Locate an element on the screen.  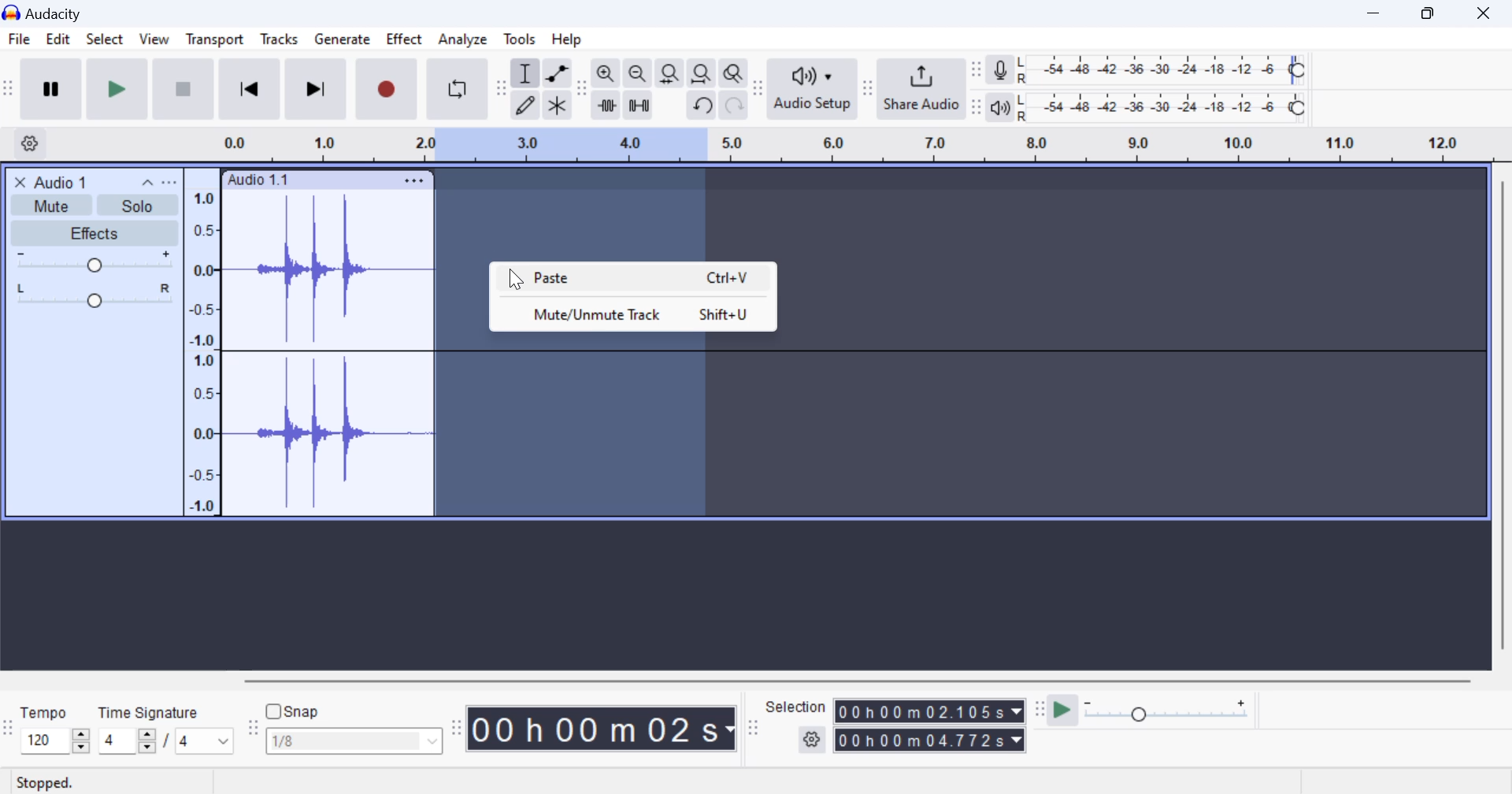
Clip Title is located at coordinates (68, 181).